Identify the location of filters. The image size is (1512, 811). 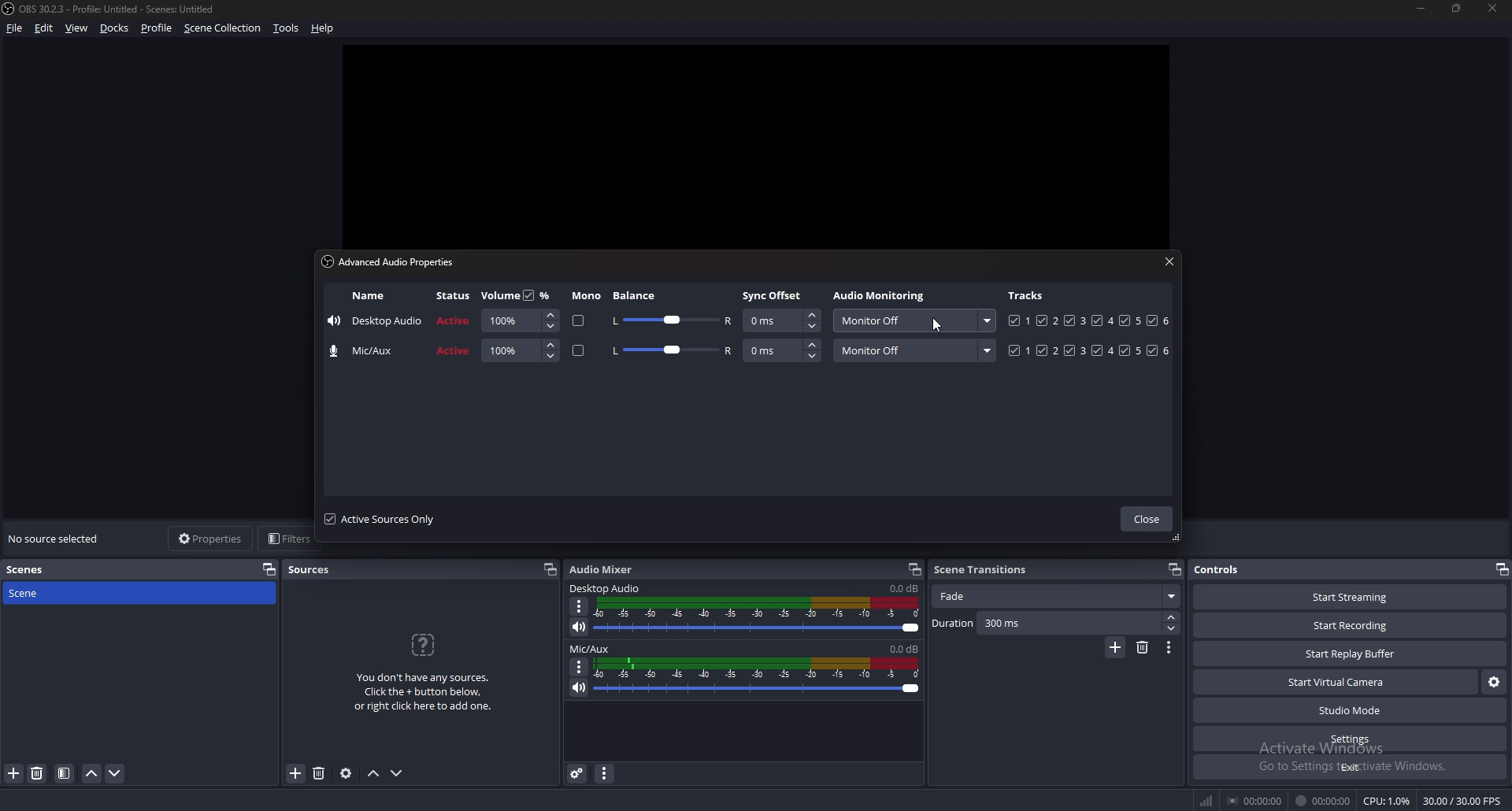
(286, 539).